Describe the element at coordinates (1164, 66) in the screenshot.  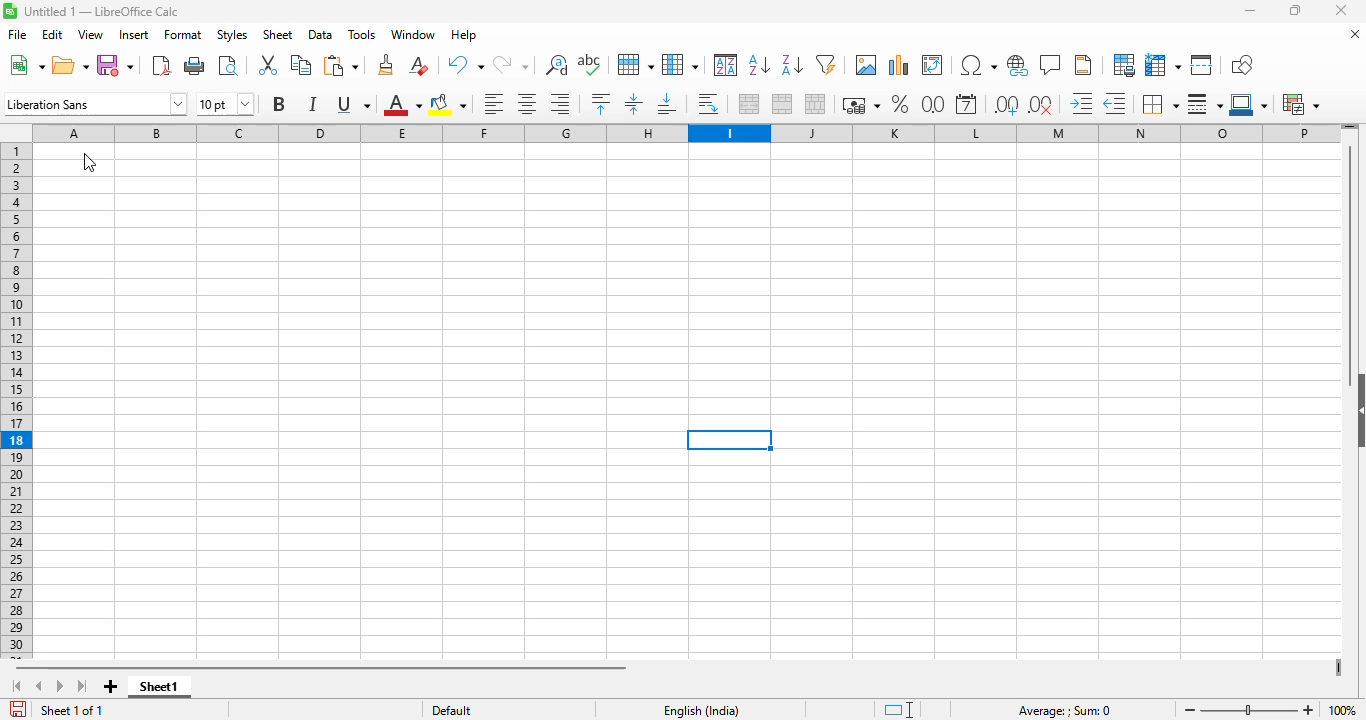
I see `freeze rows and columns` at that location.